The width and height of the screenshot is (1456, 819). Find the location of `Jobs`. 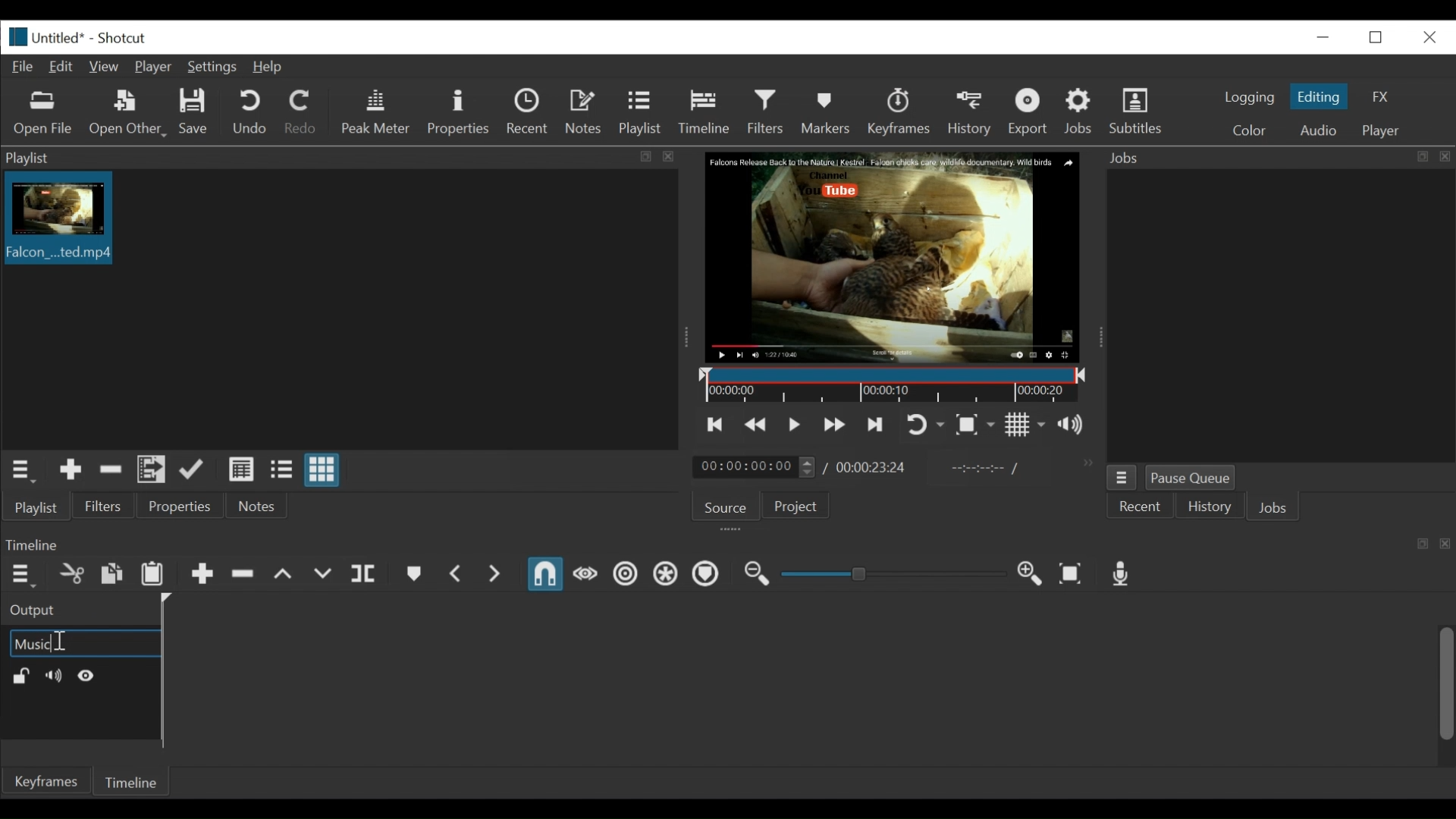

Jobs is located at coordinates (1079, 111).